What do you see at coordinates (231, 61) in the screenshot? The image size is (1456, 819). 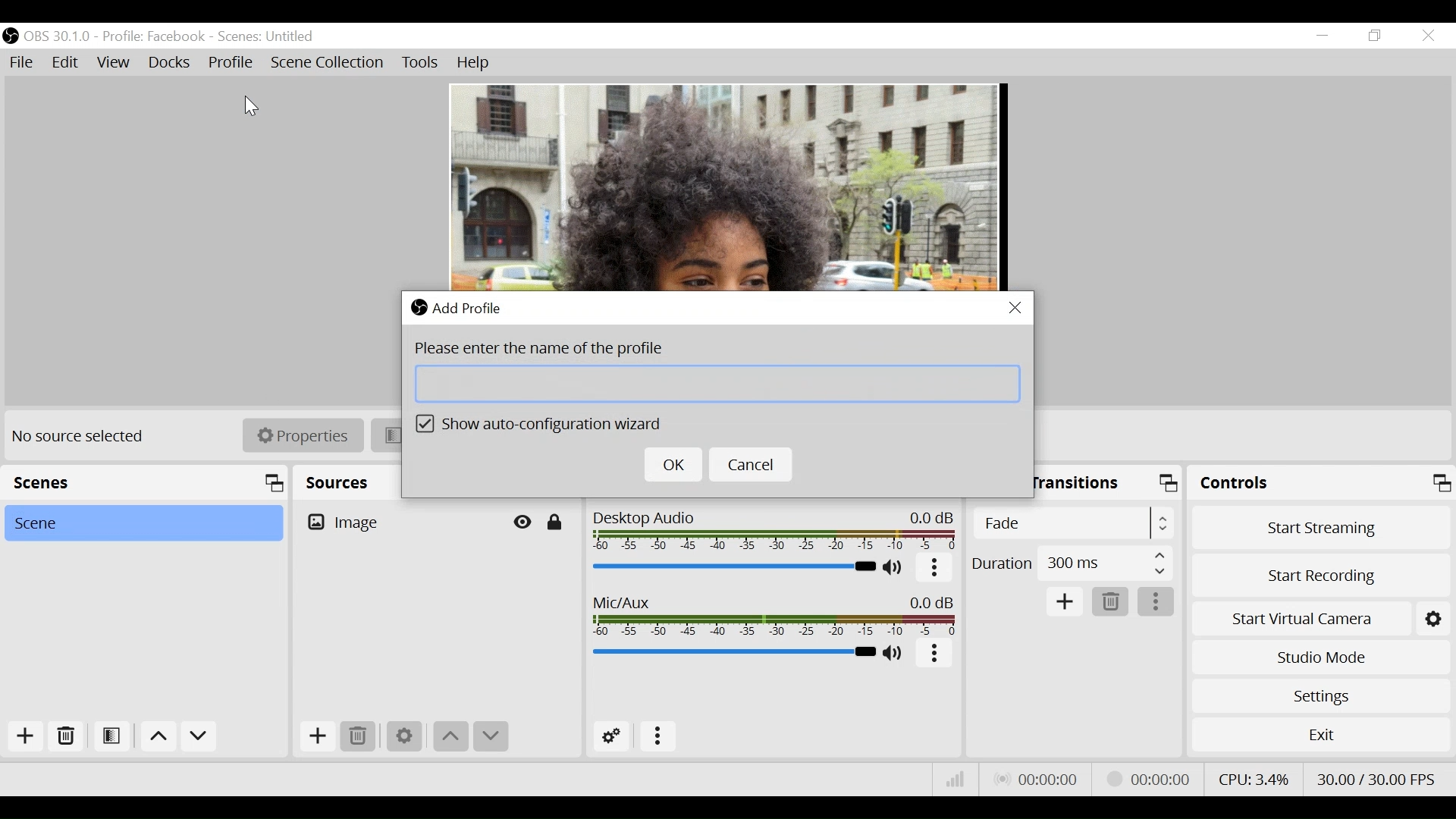 I see `Profile` at bounding box center [231, 61].